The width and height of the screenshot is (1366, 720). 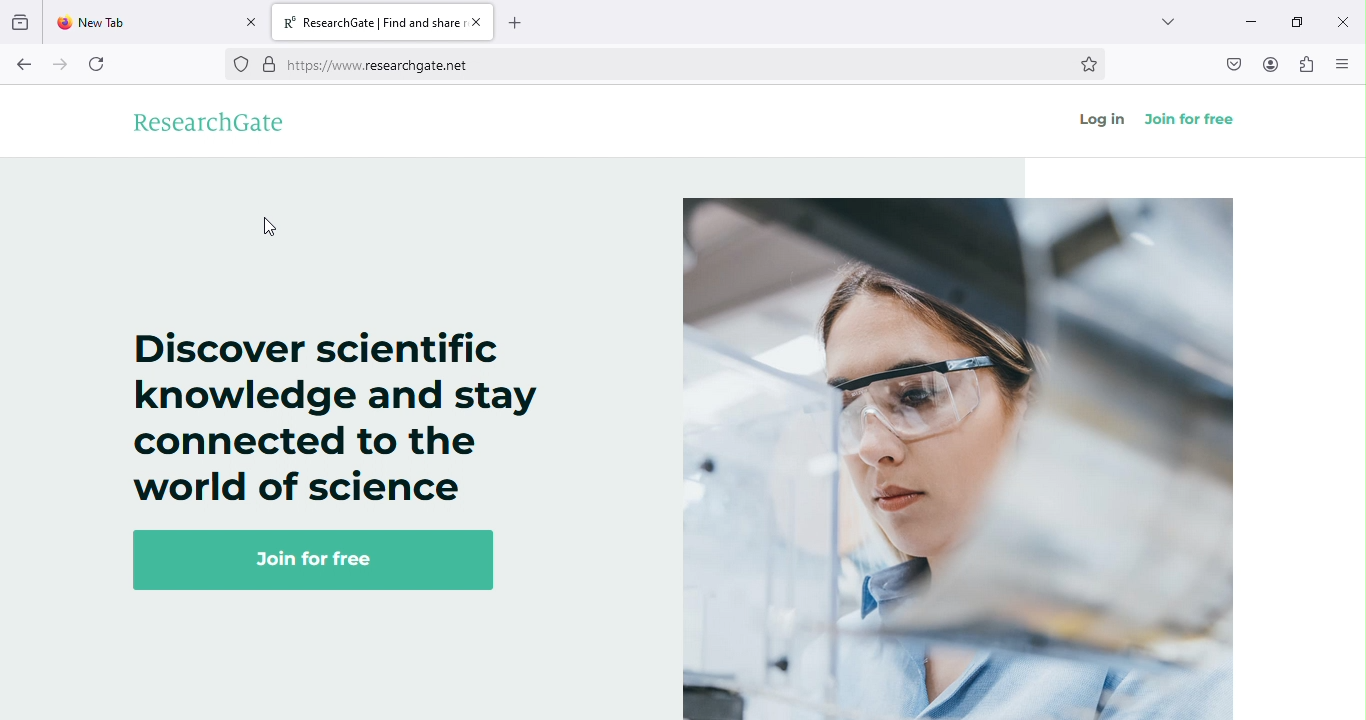 What do you see at coordinates (955, 451) in the screenshot?
I see `image on researchgate` at bounding box center [955, 451].